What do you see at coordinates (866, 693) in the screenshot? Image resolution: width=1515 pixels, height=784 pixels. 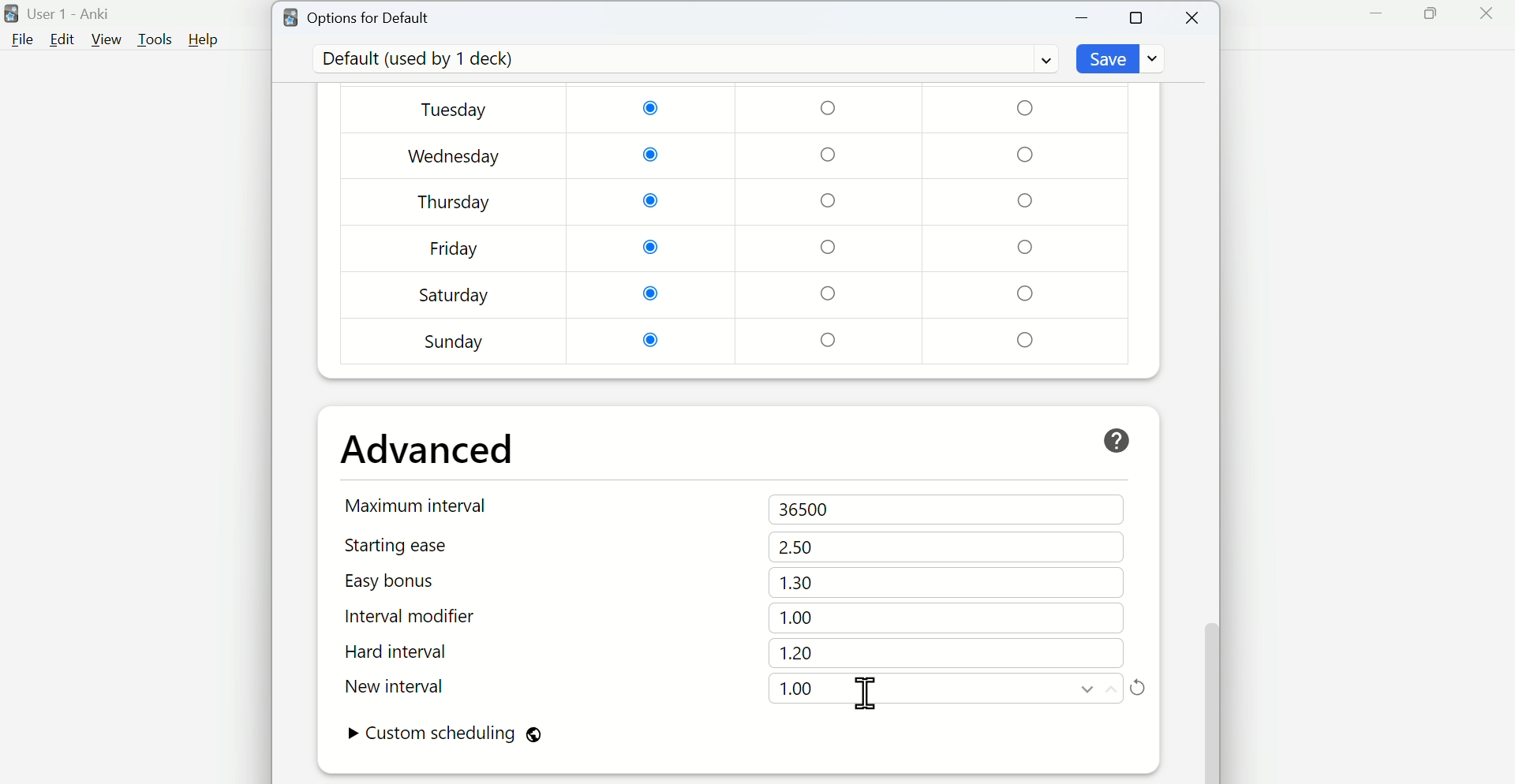 I see `cursor` at bounding box center [866, 693].